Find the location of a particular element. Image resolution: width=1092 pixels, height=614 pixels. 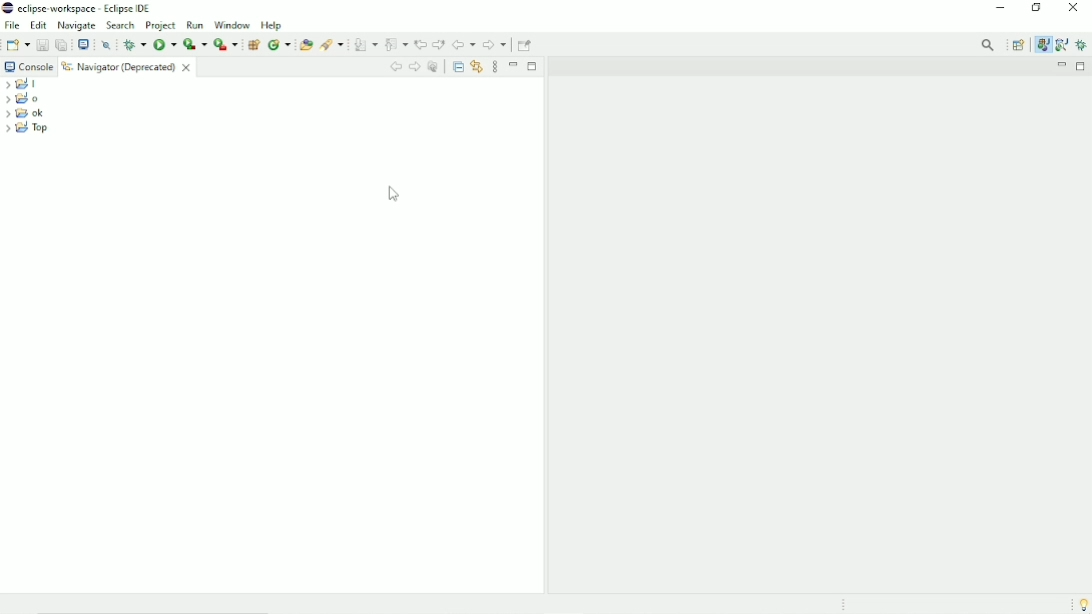

Coverage is located at coordinates (194, 44).